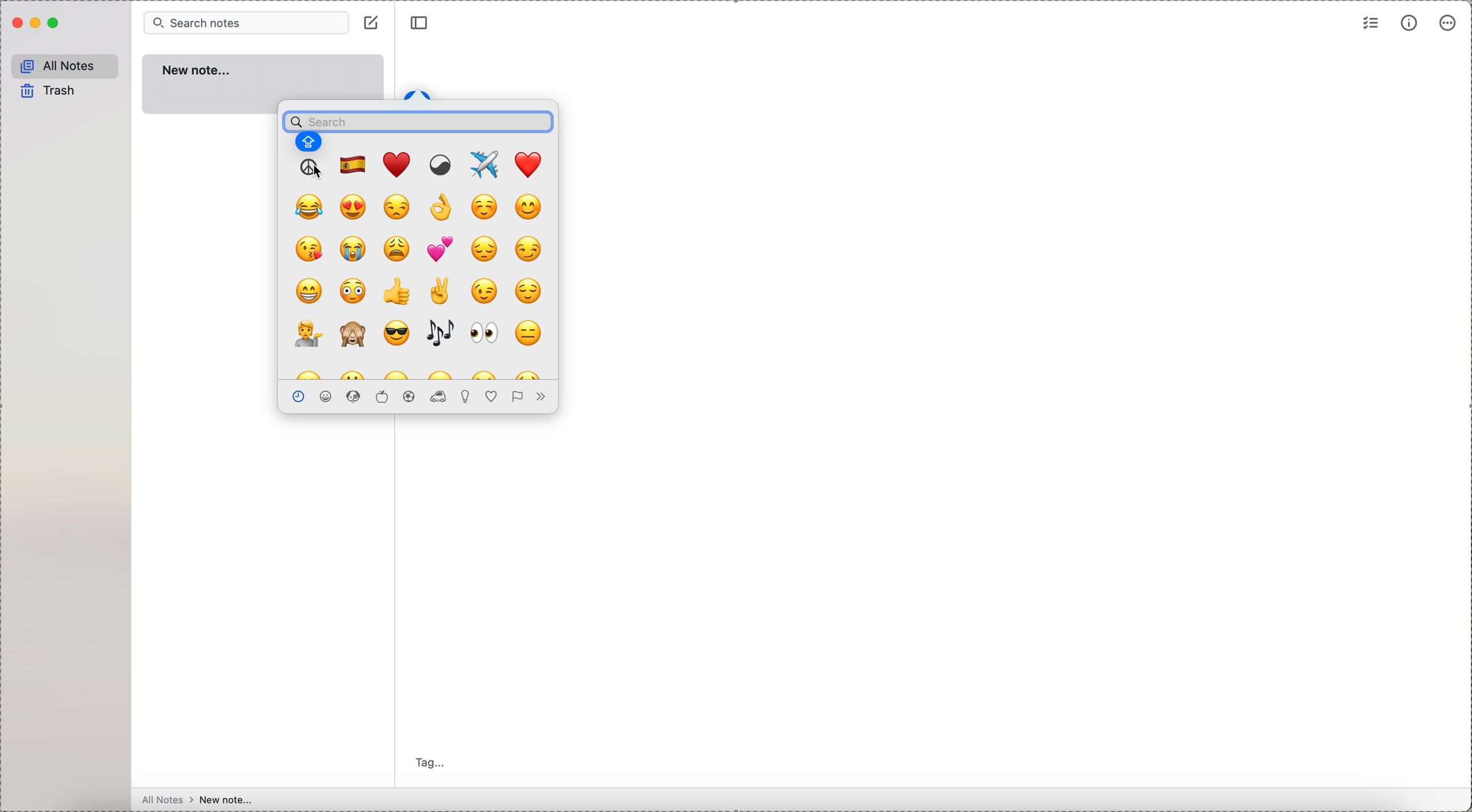  What do you see at coordinates (529, 206) in the screenshot?
I see `emoji` at bounding box center [529, 206].